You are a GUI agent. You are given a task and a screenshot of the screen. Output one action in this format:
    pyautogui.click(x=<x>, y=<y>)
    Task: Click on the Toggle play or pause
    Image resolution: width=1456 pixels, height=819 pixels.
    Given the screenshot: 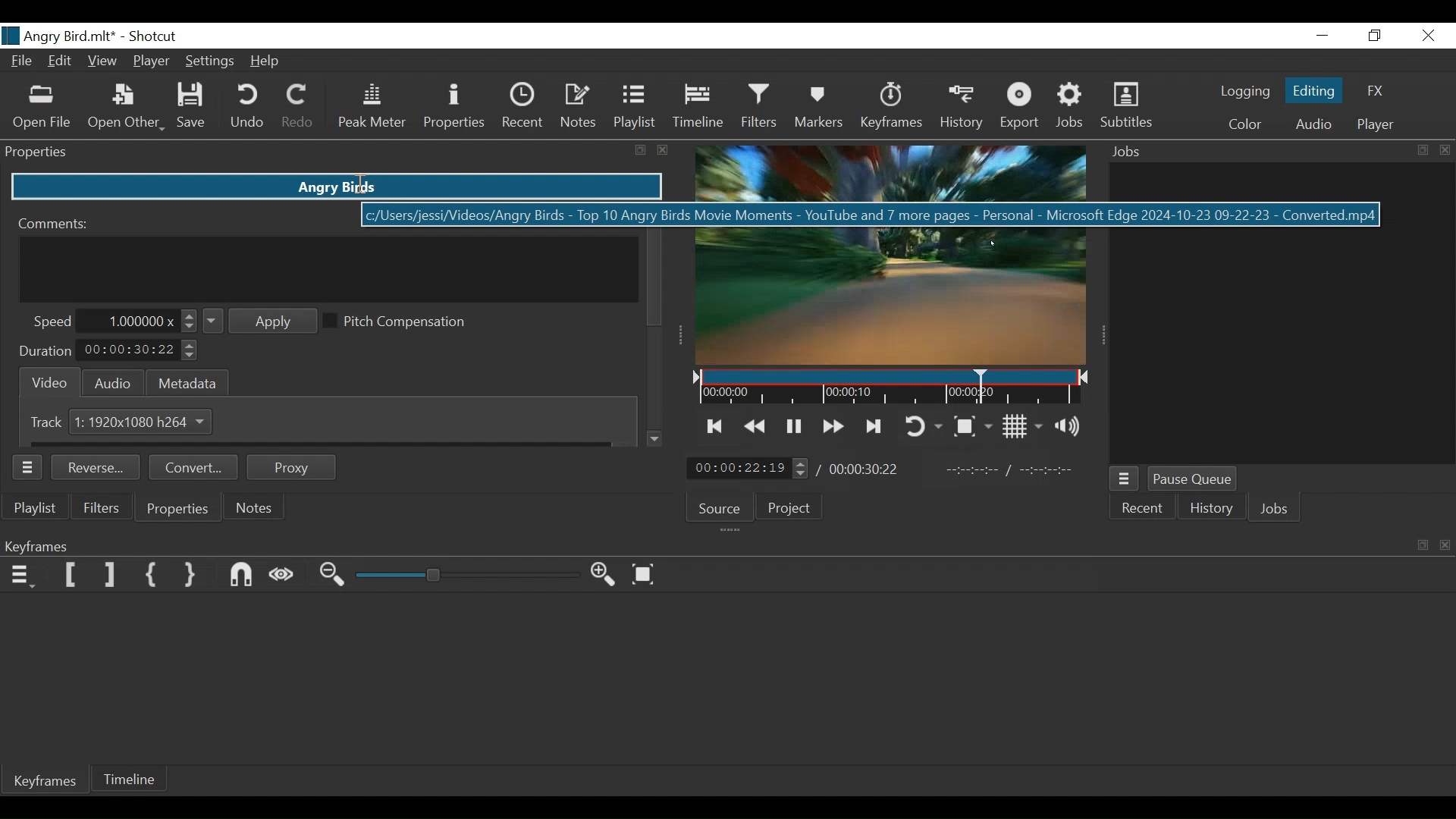 What is the action you would take?
    pyautogui.click(x=794, y=426)
    